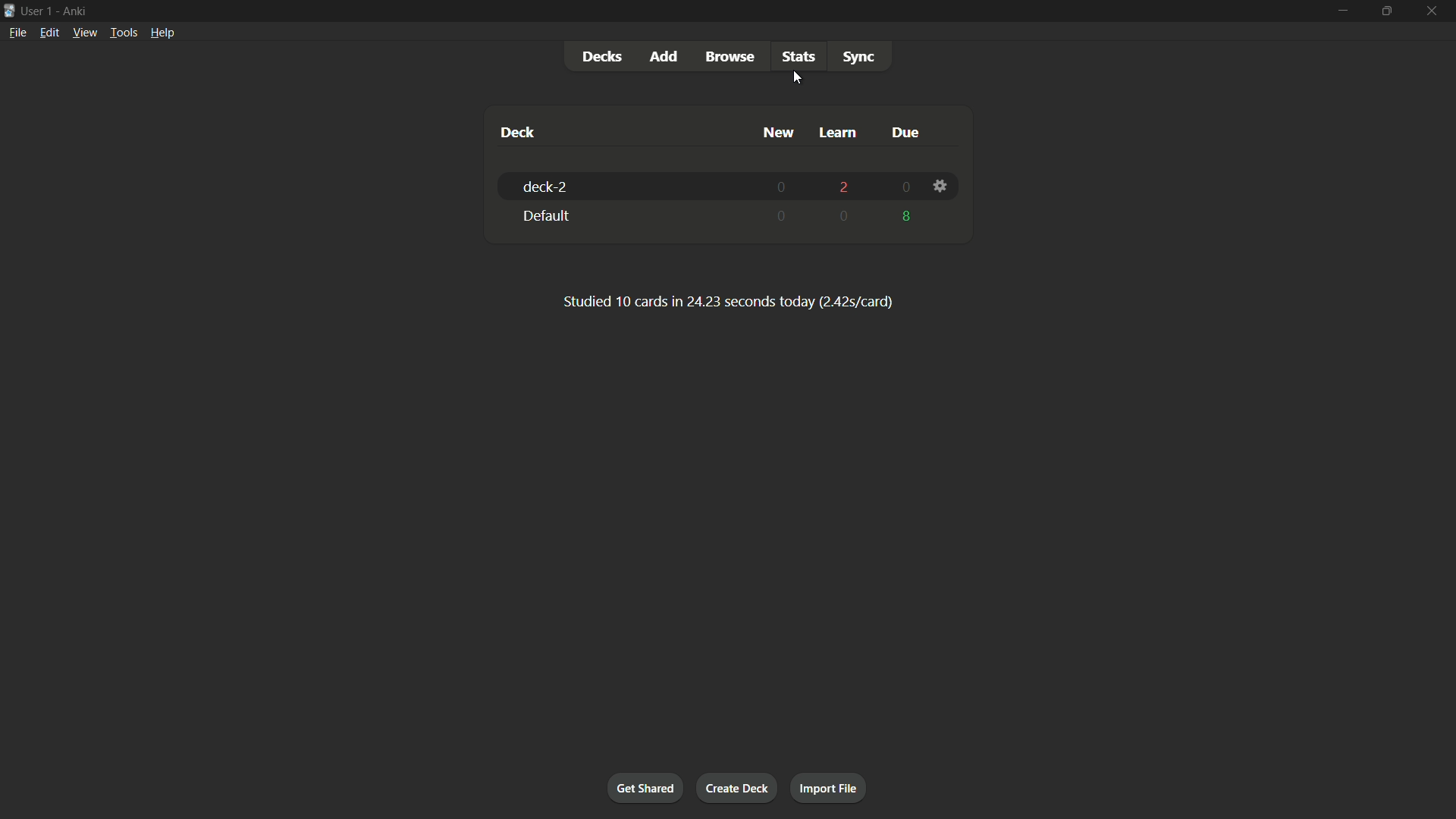 This screenshot has width=1456, height=819. I want to click on Cursor, so click(799, 80).